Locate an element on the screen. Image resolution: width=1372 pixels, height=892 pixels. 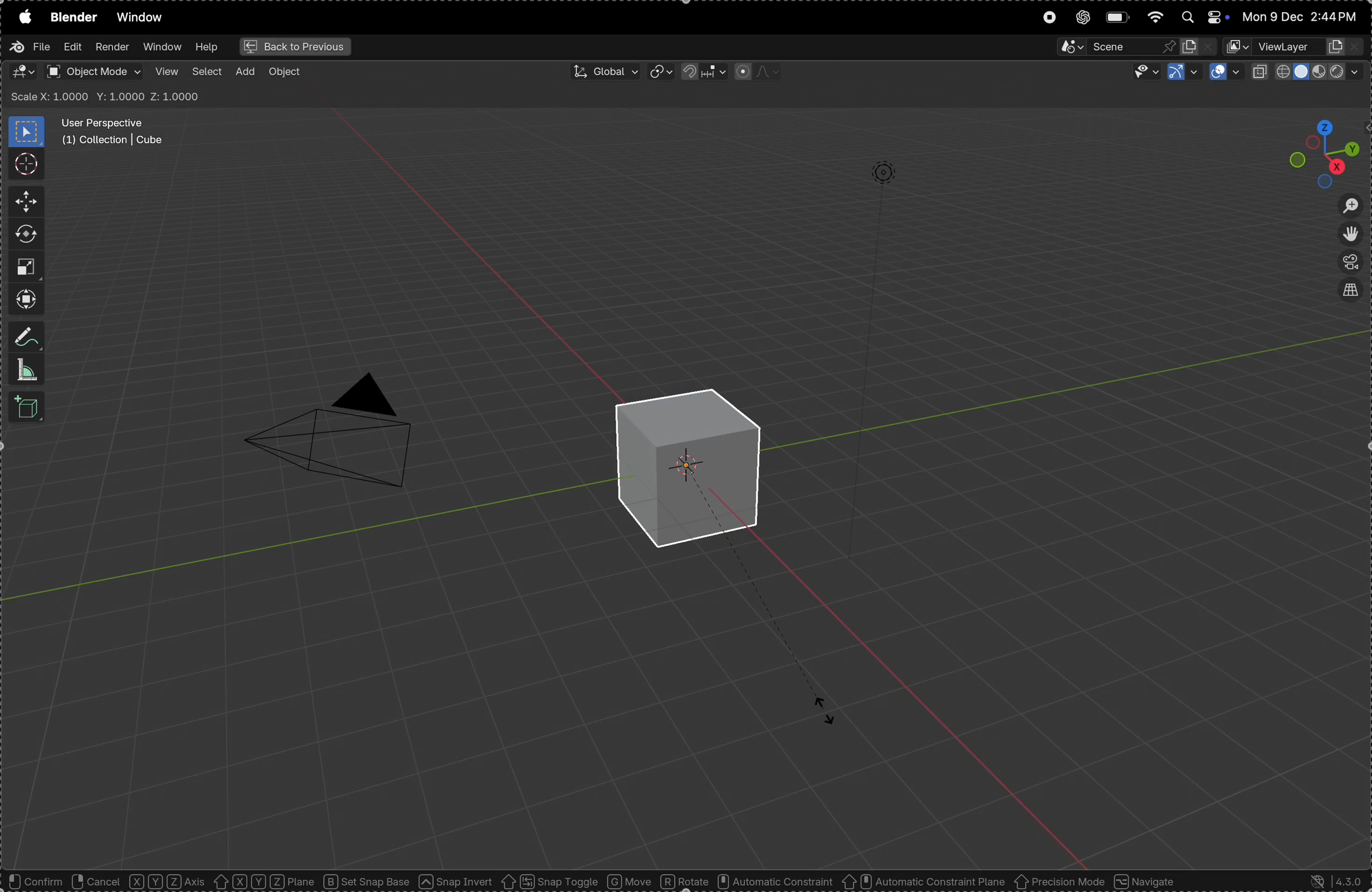
file is located at coordinates (32, 50).